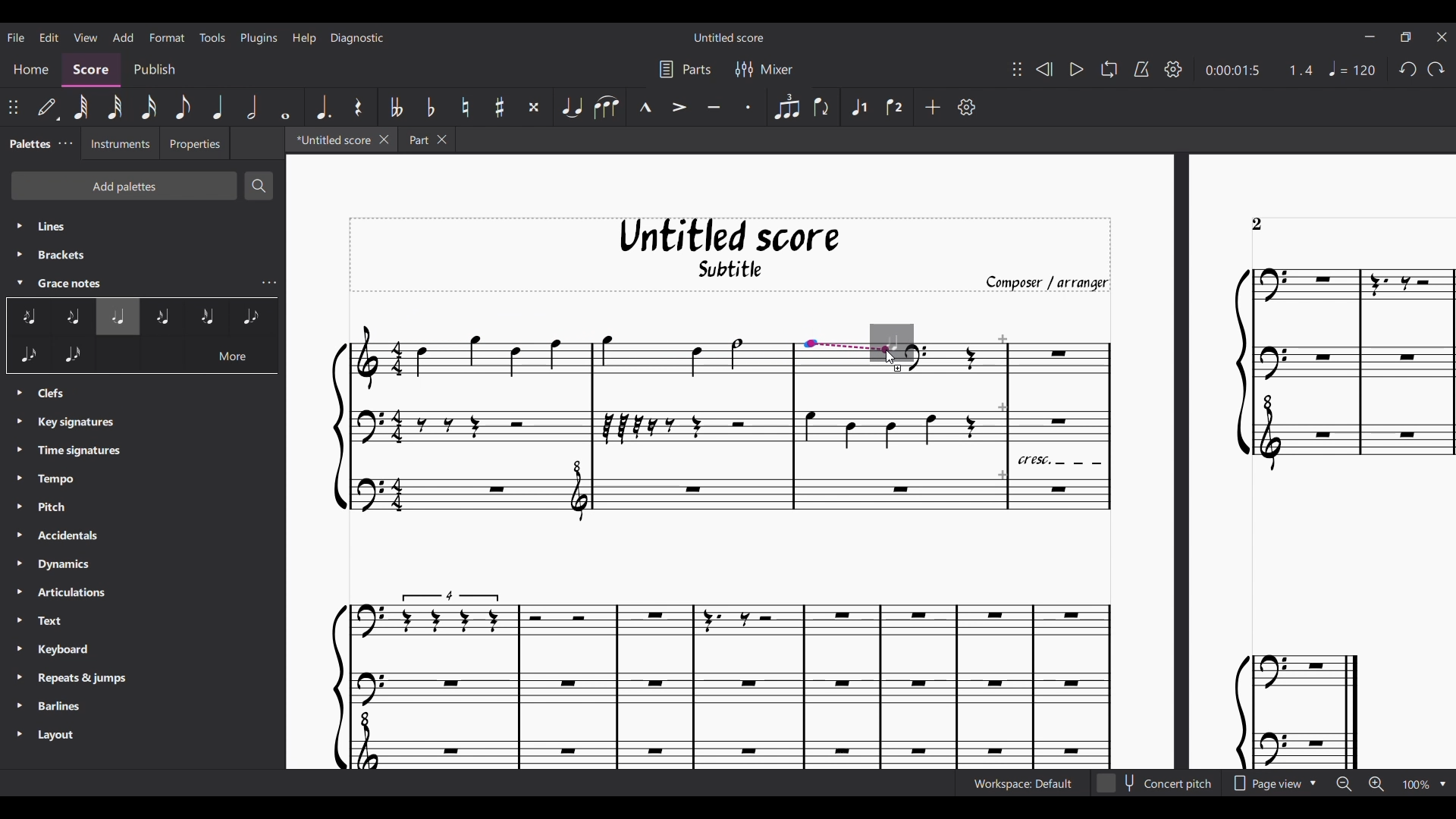  I want to click on Zoom in, so click(1376, 784).